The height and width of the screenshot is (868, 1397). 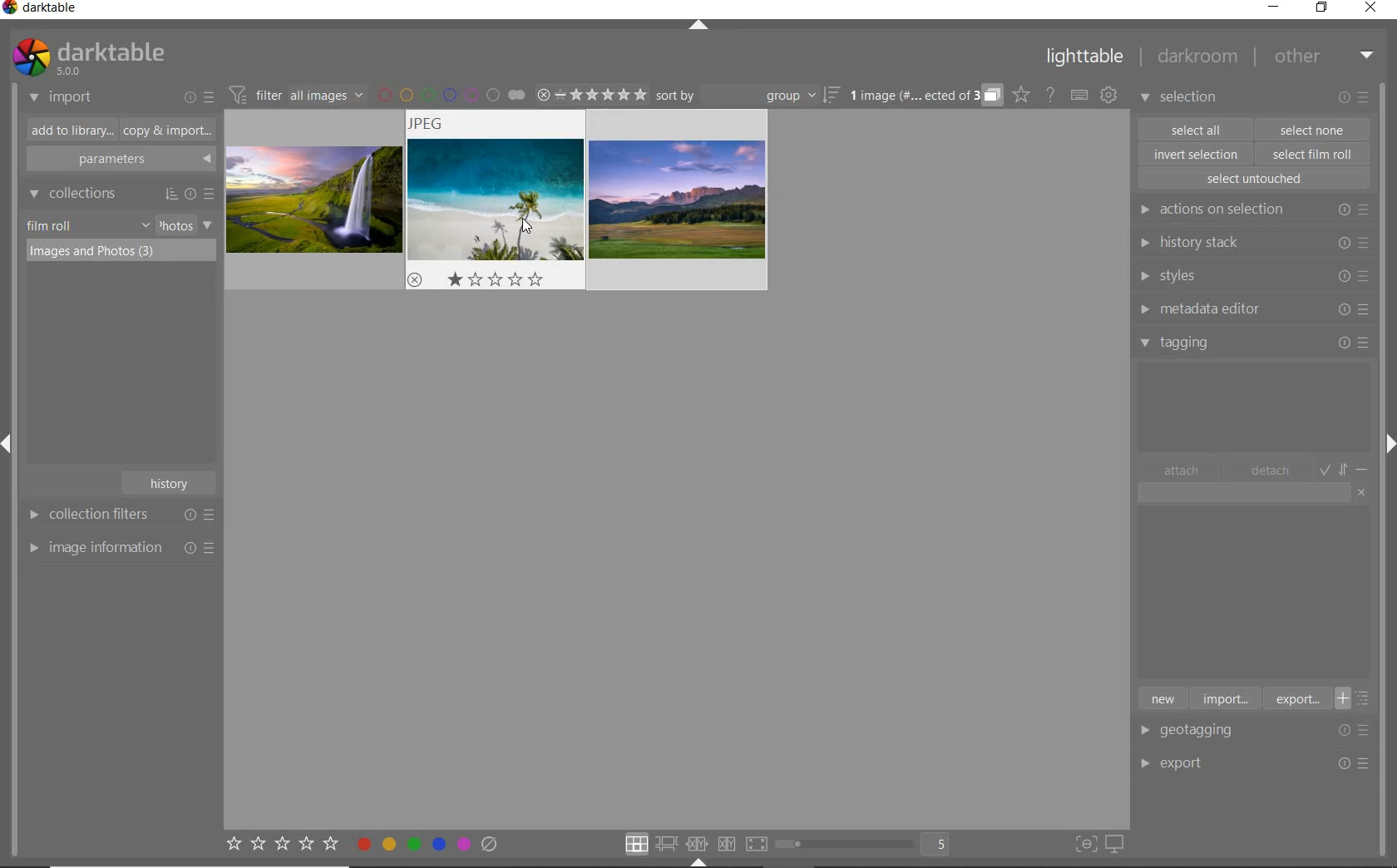 What do you see at coordinates (121, 547) in the screenshot?
I see `image information` at bounding box center [121, 547].